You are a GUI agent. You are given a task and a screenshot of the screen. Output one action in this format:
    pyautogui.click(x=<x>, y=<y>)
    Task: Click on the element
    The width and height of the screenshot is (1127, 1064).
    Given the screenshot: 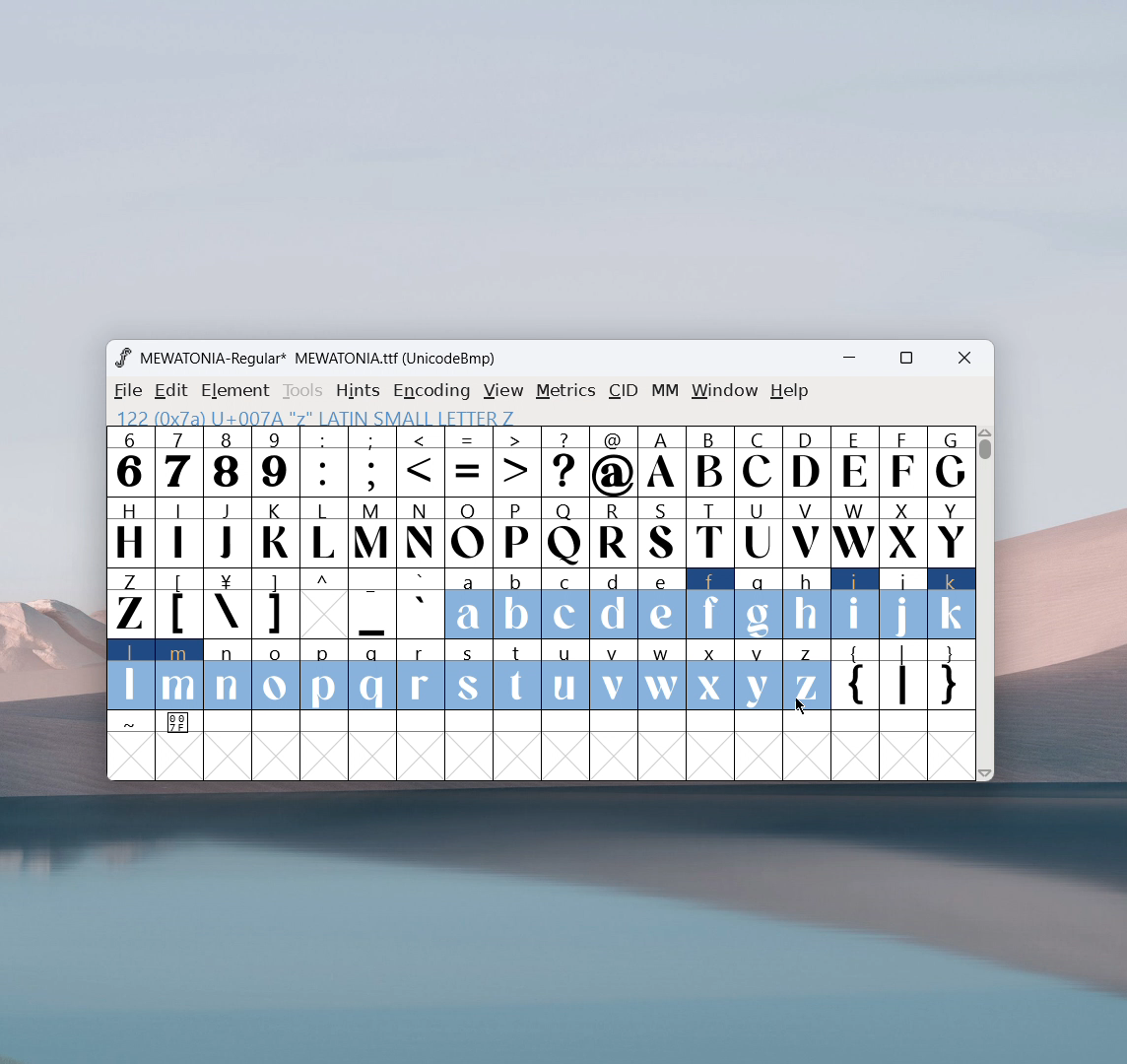 What is the action you would take?
    pyautogui.click(x=235, y=391)
    